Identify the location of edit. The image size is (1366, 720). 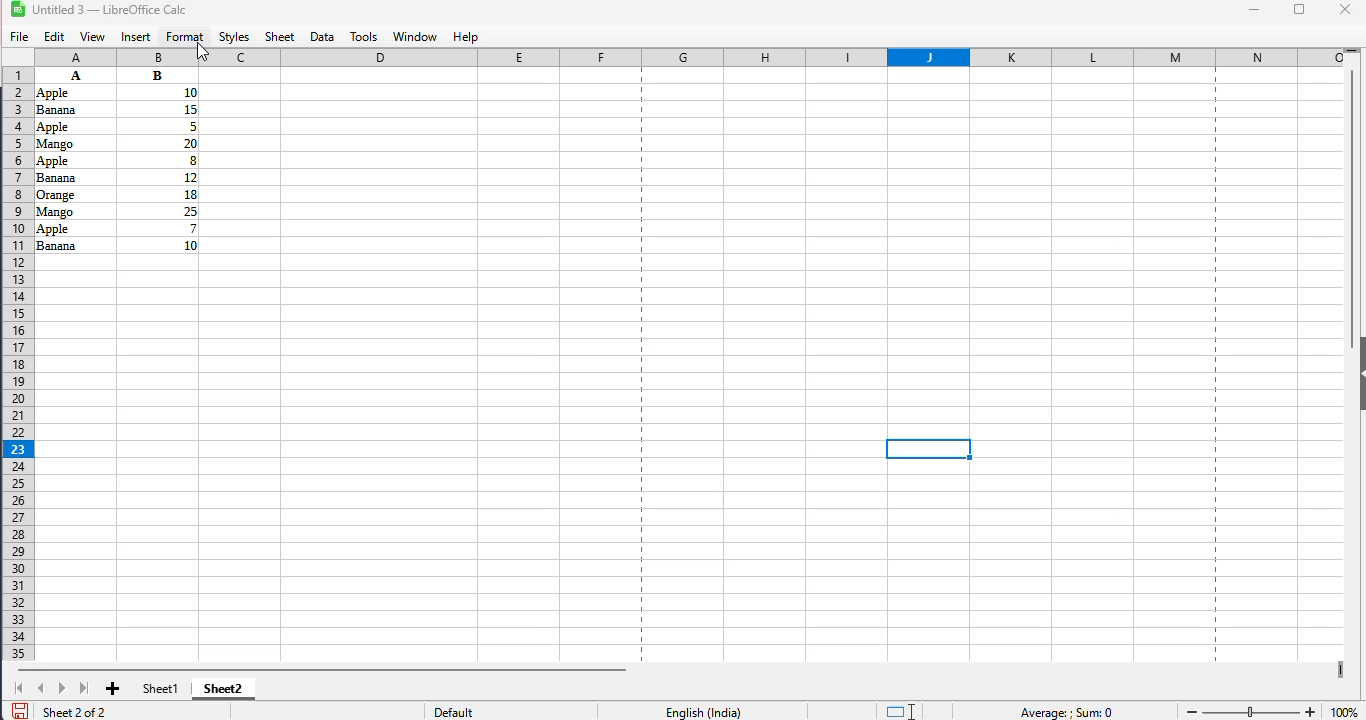
(55, 37).